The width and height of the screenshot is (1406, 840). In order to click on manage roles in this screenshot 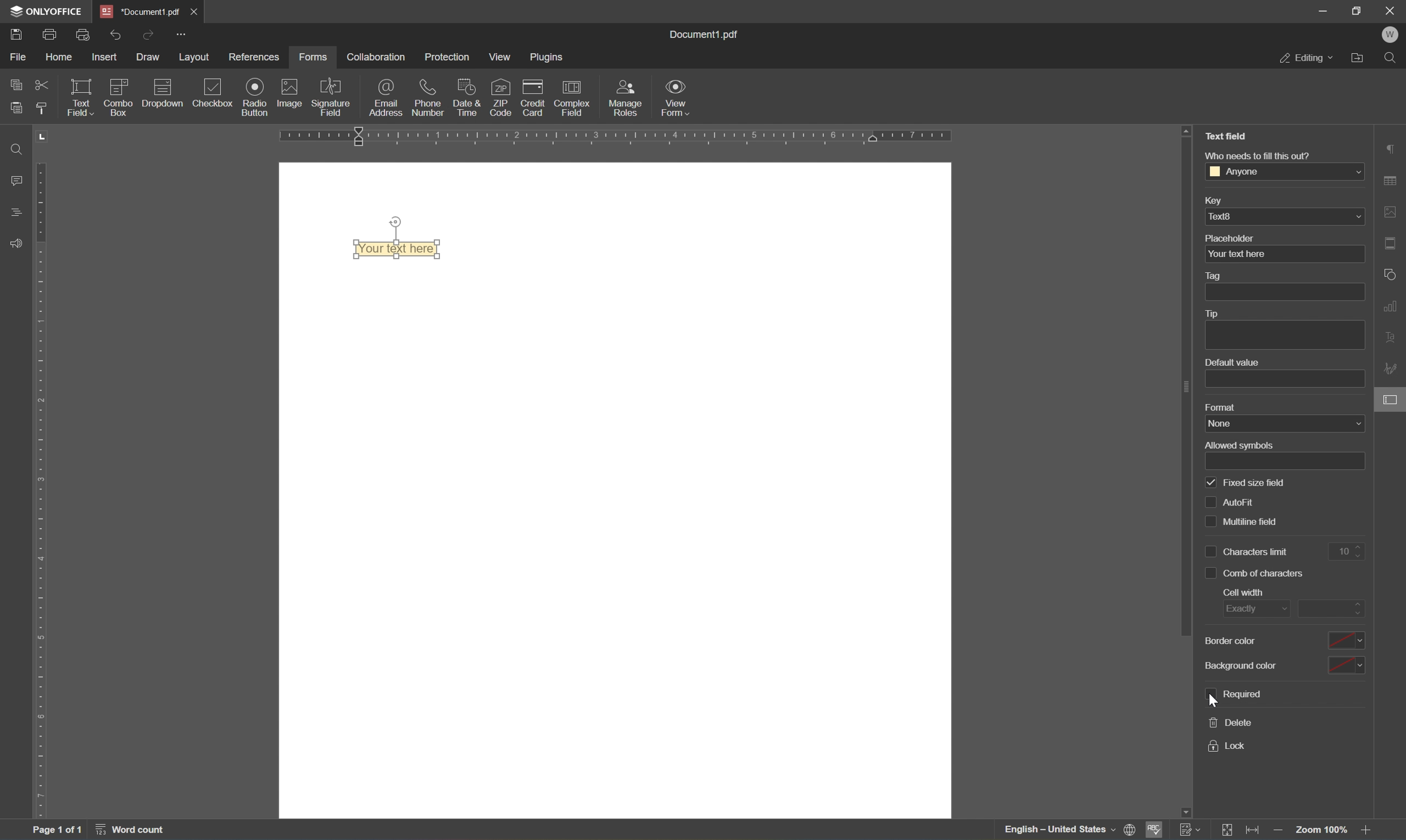, I will do `click(623, 100)`.